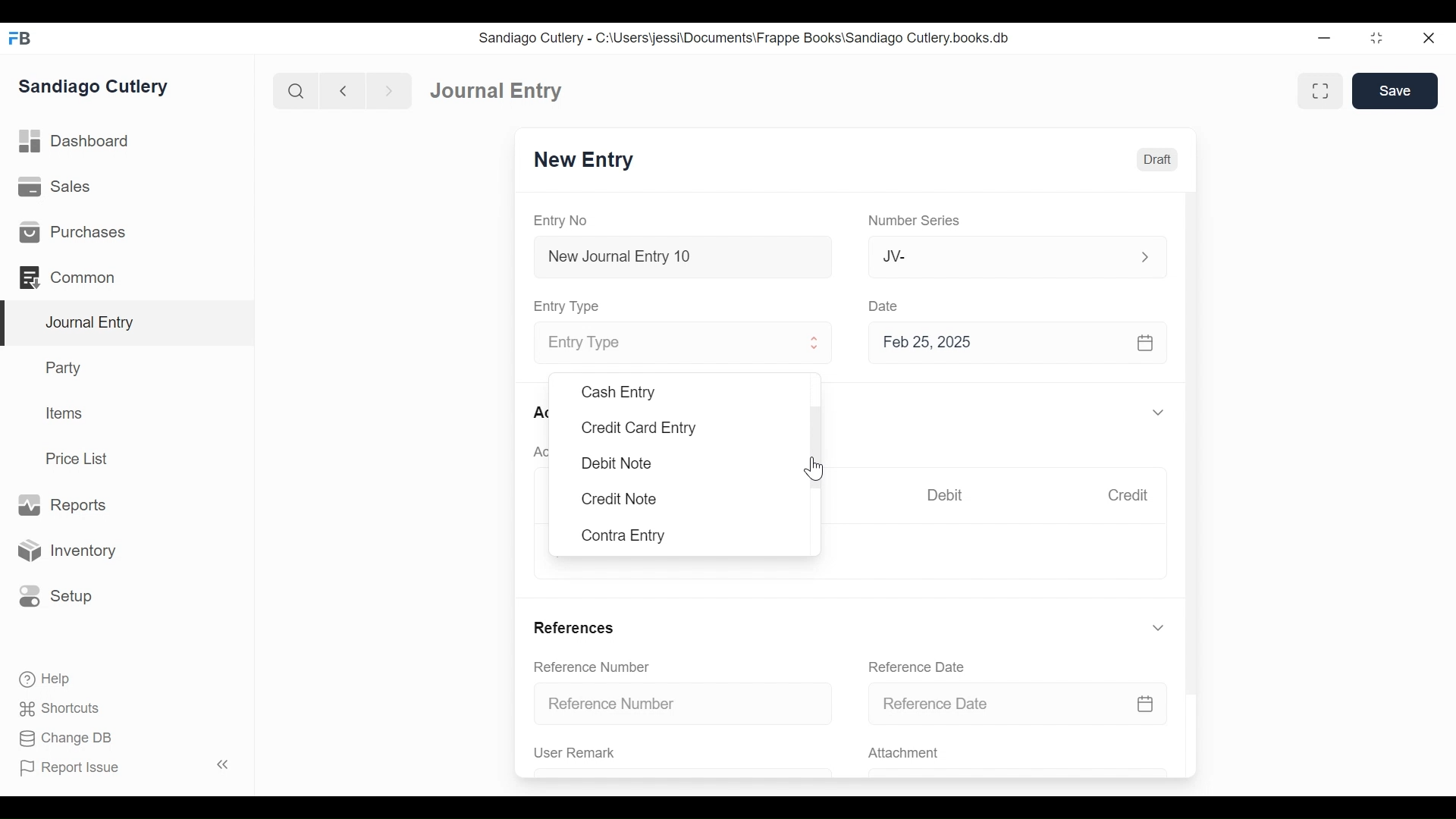 Image resolution: width=1456 pixels, height=819 pixels. I want to click on Attachment, so click(906, 754).